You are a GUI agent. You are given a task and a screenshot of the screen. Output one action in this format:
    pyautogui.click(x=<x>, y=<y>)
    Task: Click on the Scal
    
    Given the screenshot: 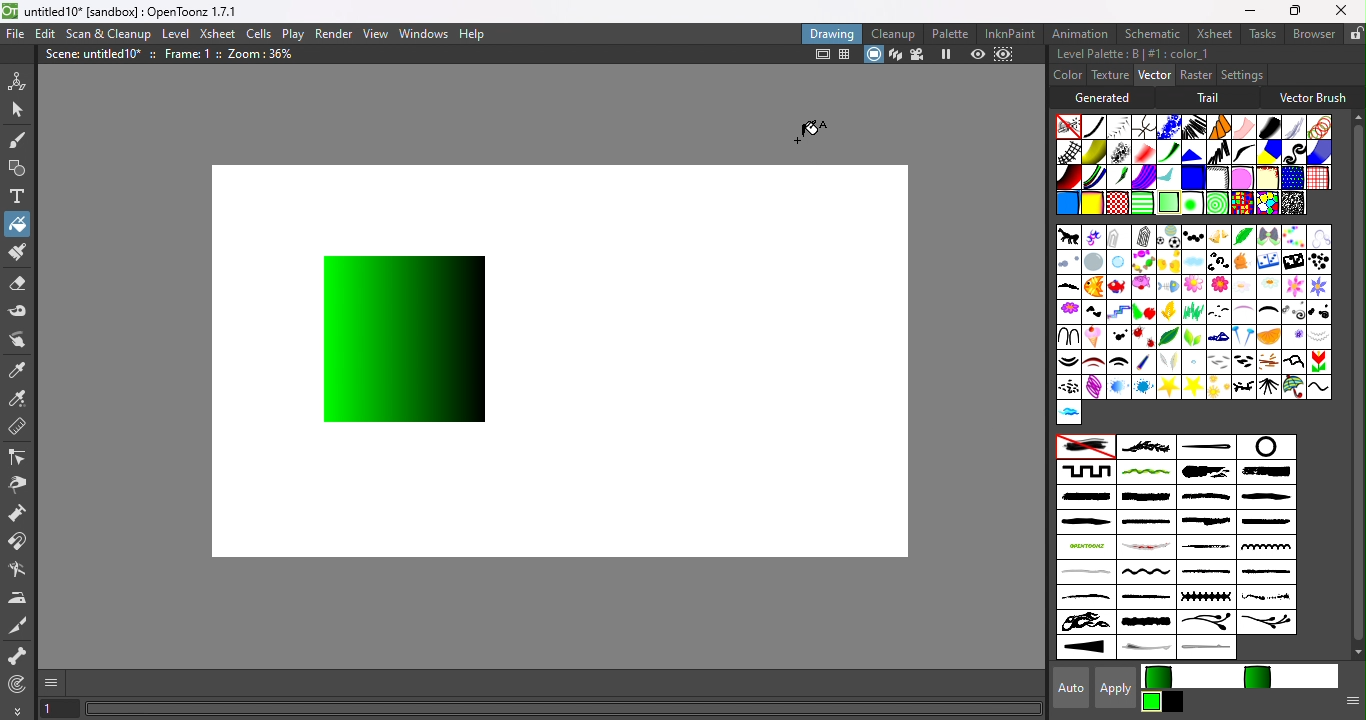 What is the action you would take?
    pyautogui.click(x=1294, y=360)
    